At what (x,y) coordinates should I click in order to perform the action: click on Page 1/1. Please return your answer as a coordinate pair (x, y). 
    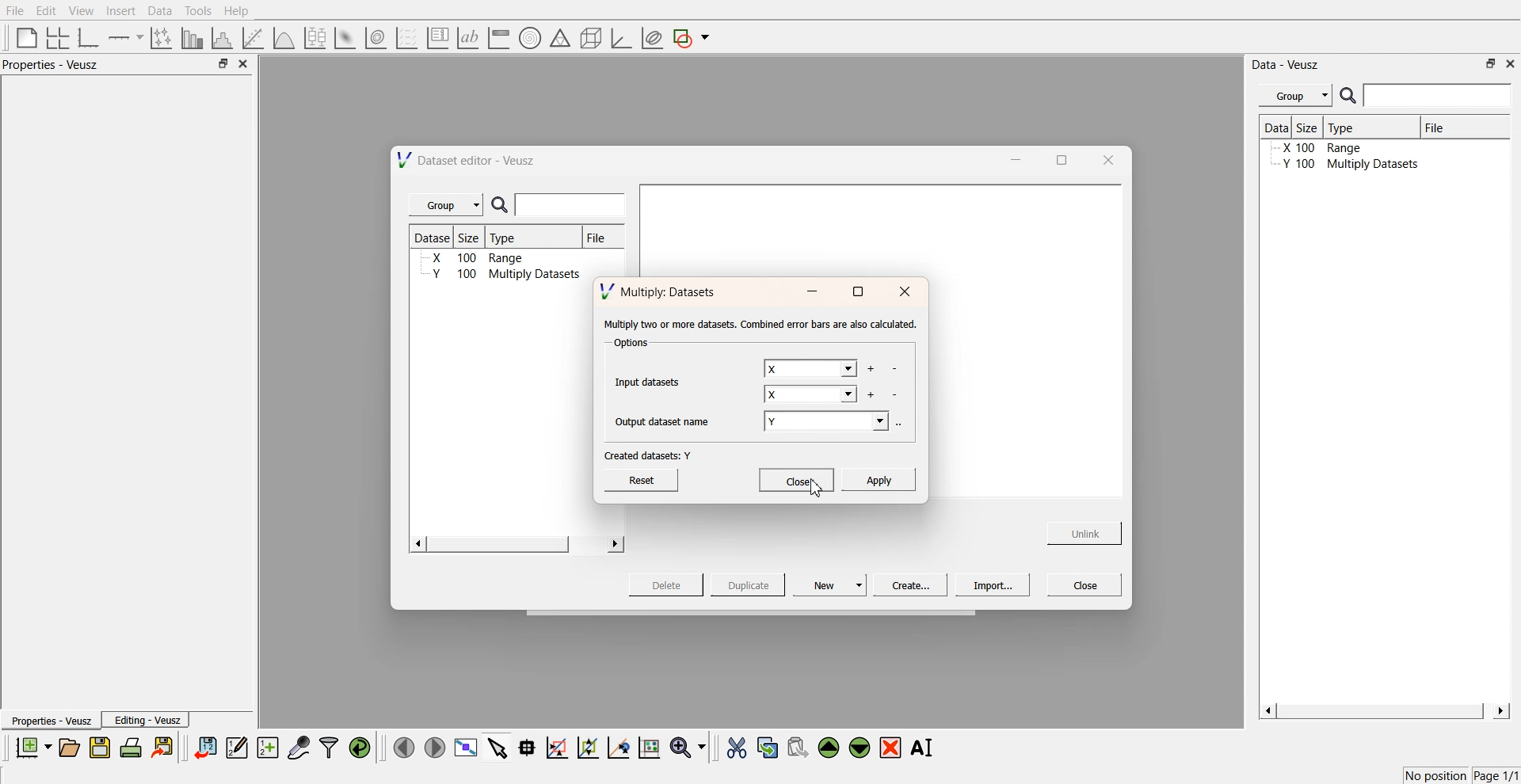
    Looking at the image, I should click on (1497, 776).